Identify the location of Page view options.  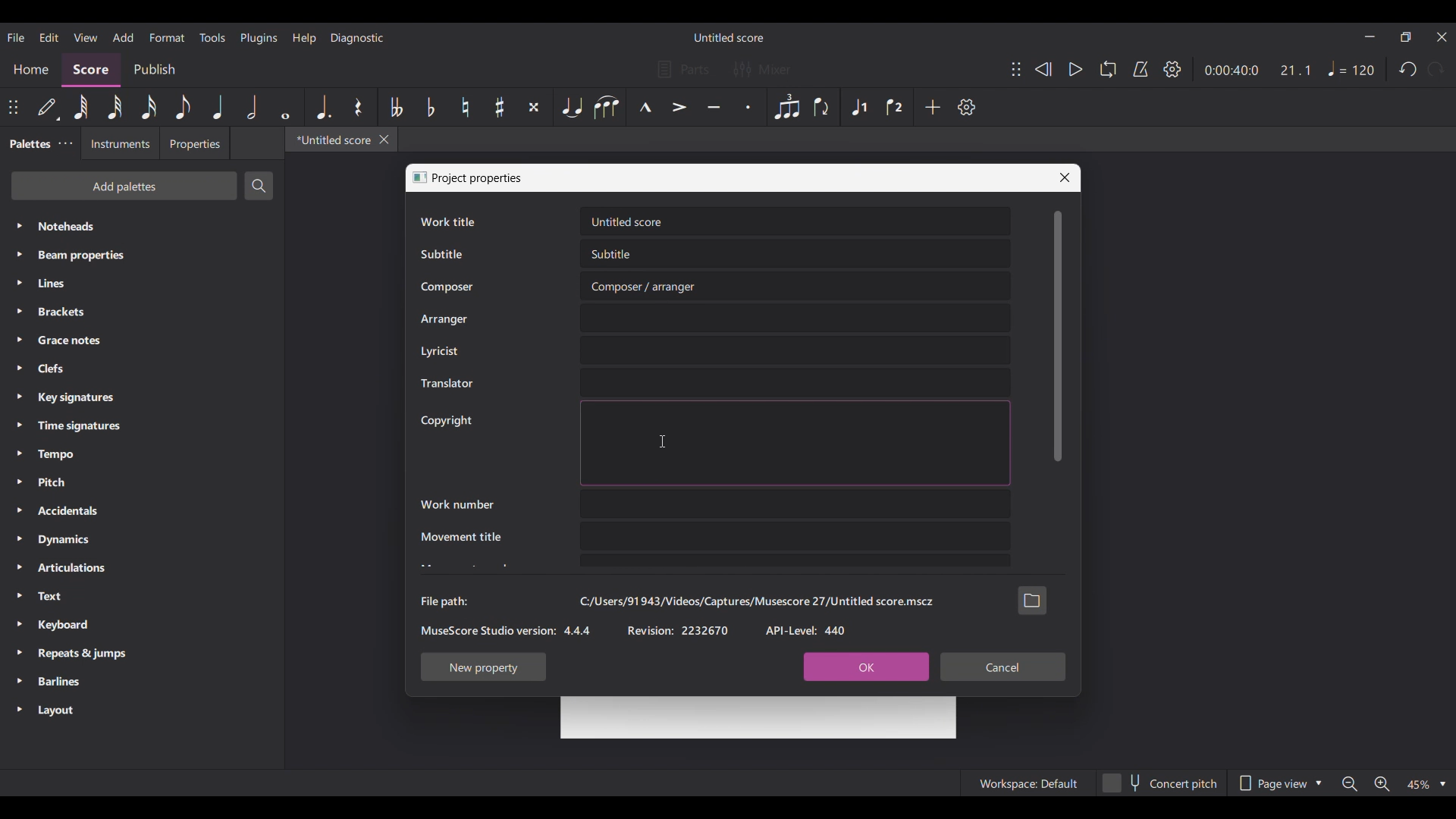
(1278, 783).